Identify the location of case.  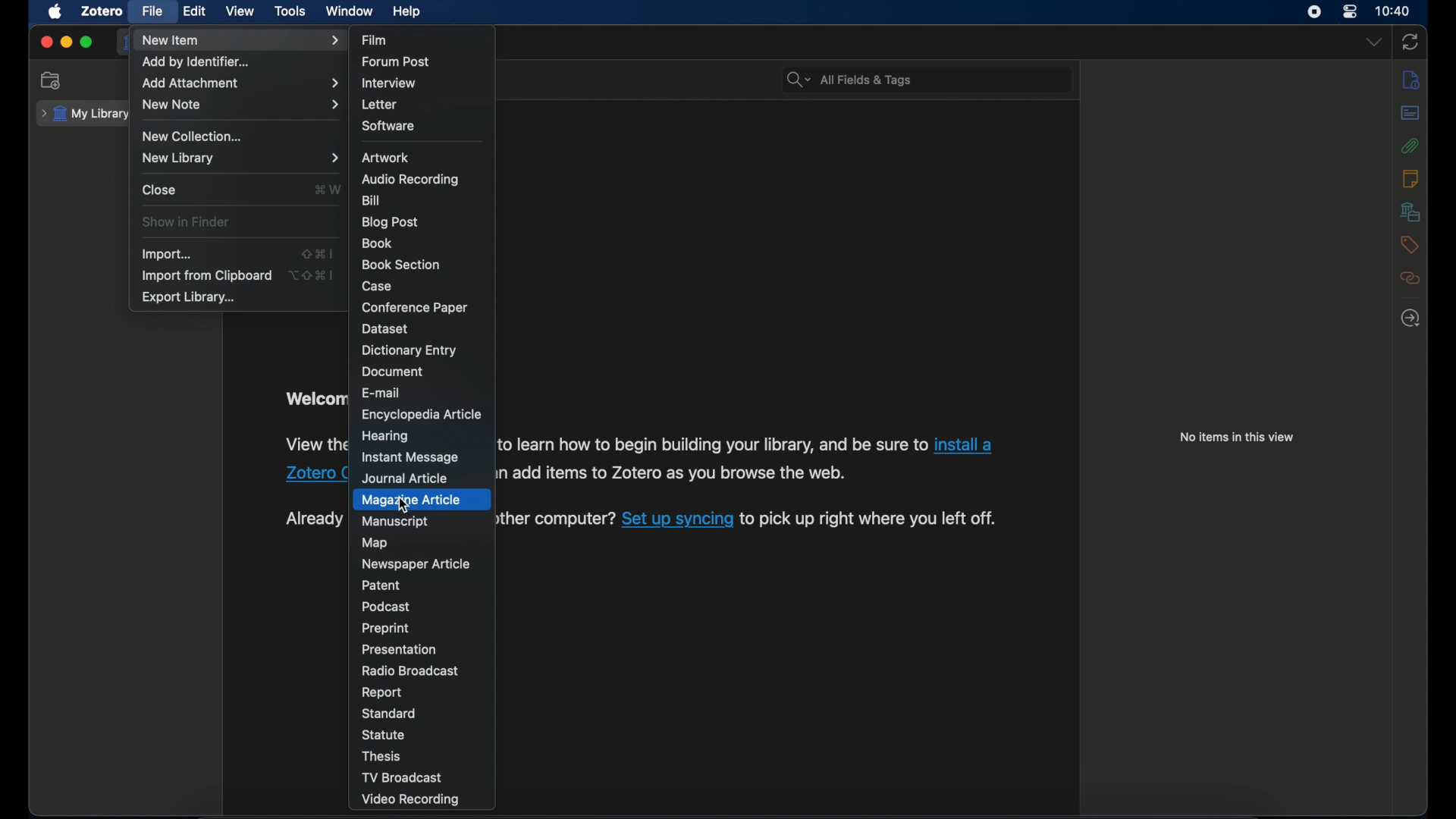
(378, 287).